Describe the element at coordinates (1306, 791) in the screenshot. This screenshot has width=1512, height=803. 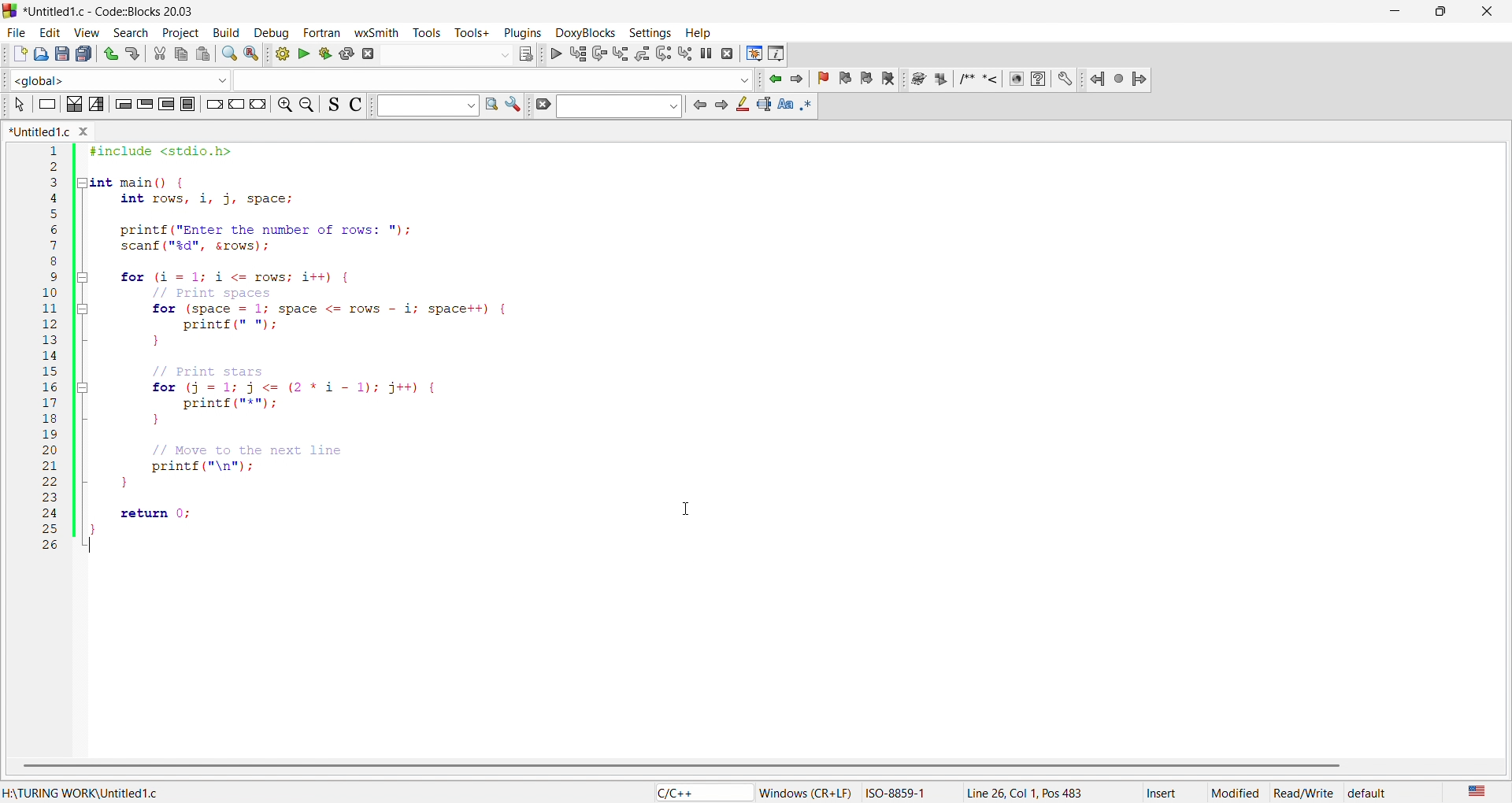
I see `read/write` at that location.